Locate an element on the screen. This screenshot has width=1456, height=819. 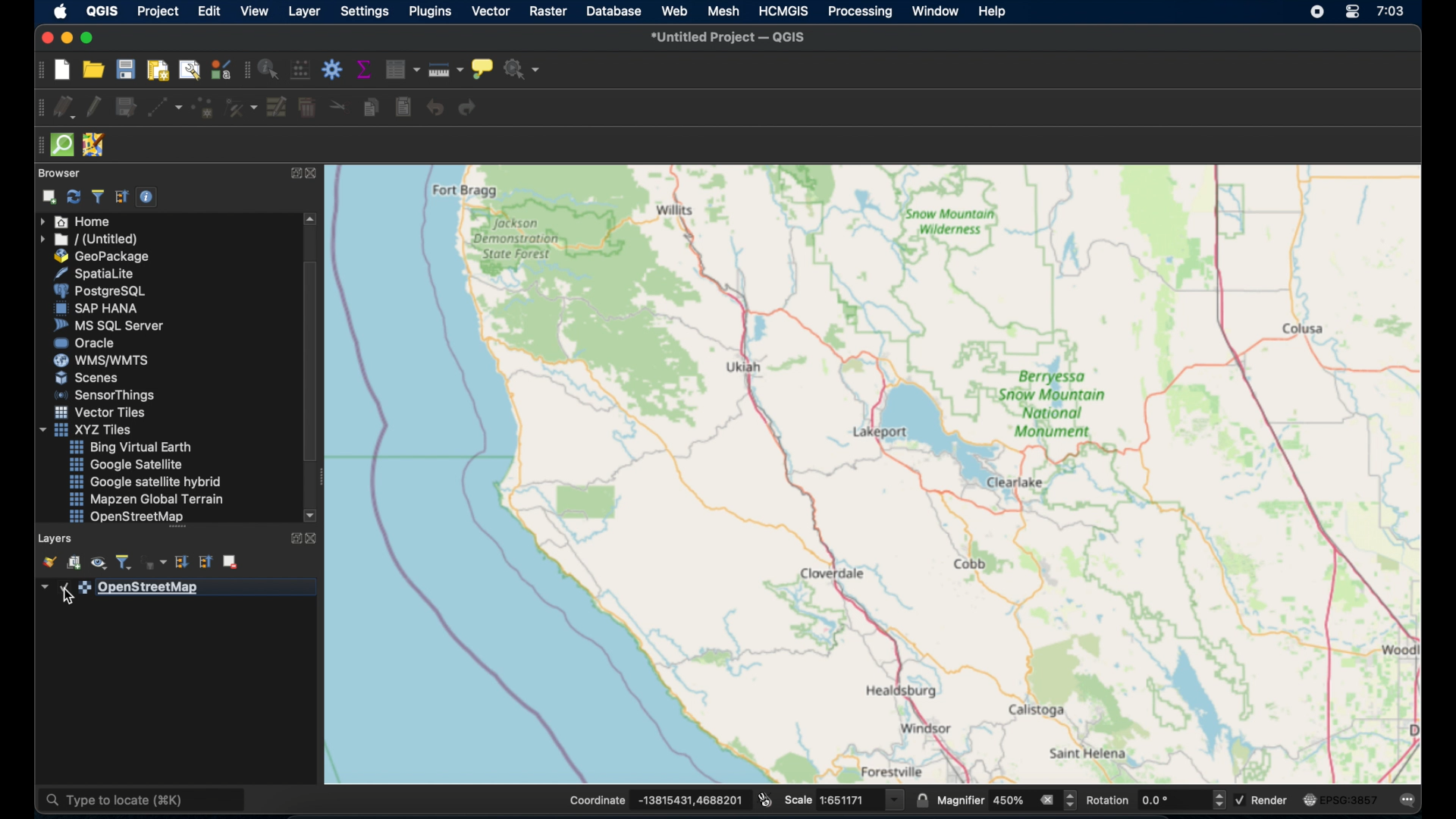
screen recorder icon is located at coordinates (1315, 13).